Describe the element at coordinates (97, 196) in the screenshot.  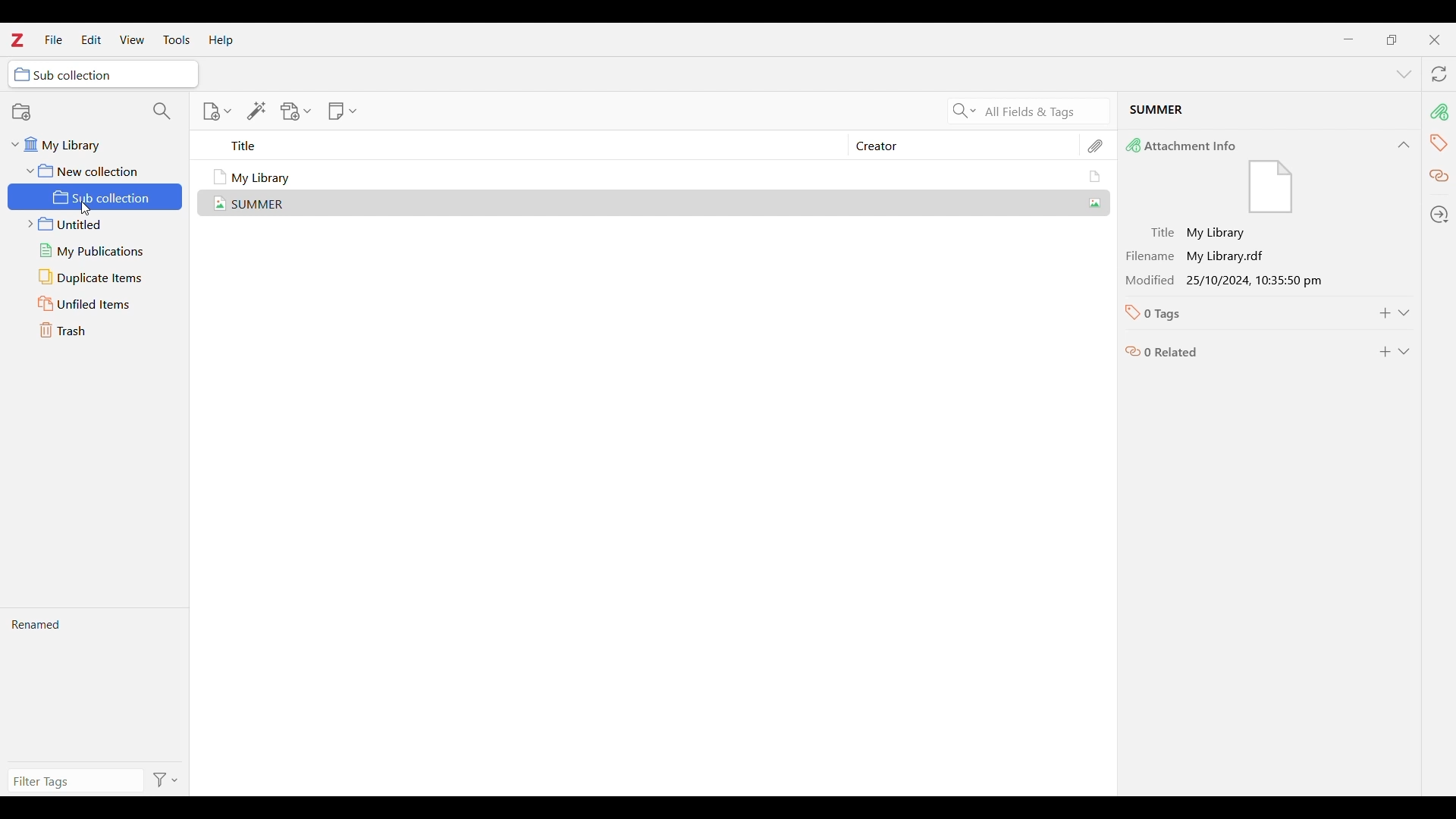
I see `Sub collection` at that location.